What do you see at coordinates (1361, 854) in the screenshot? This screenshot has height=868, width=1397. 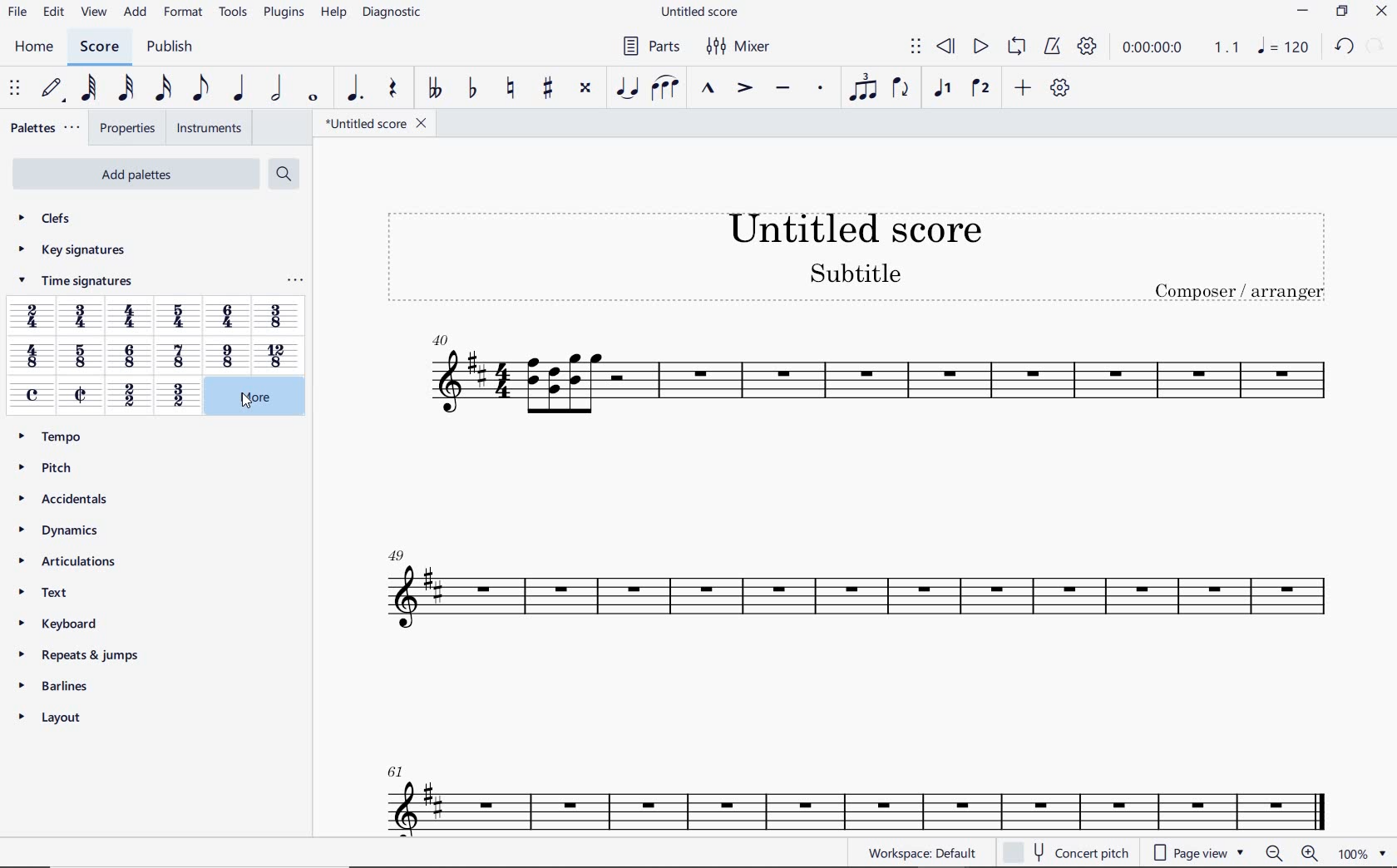 I see `ZOOM FACTOR` at bounding box center [1361, 854].